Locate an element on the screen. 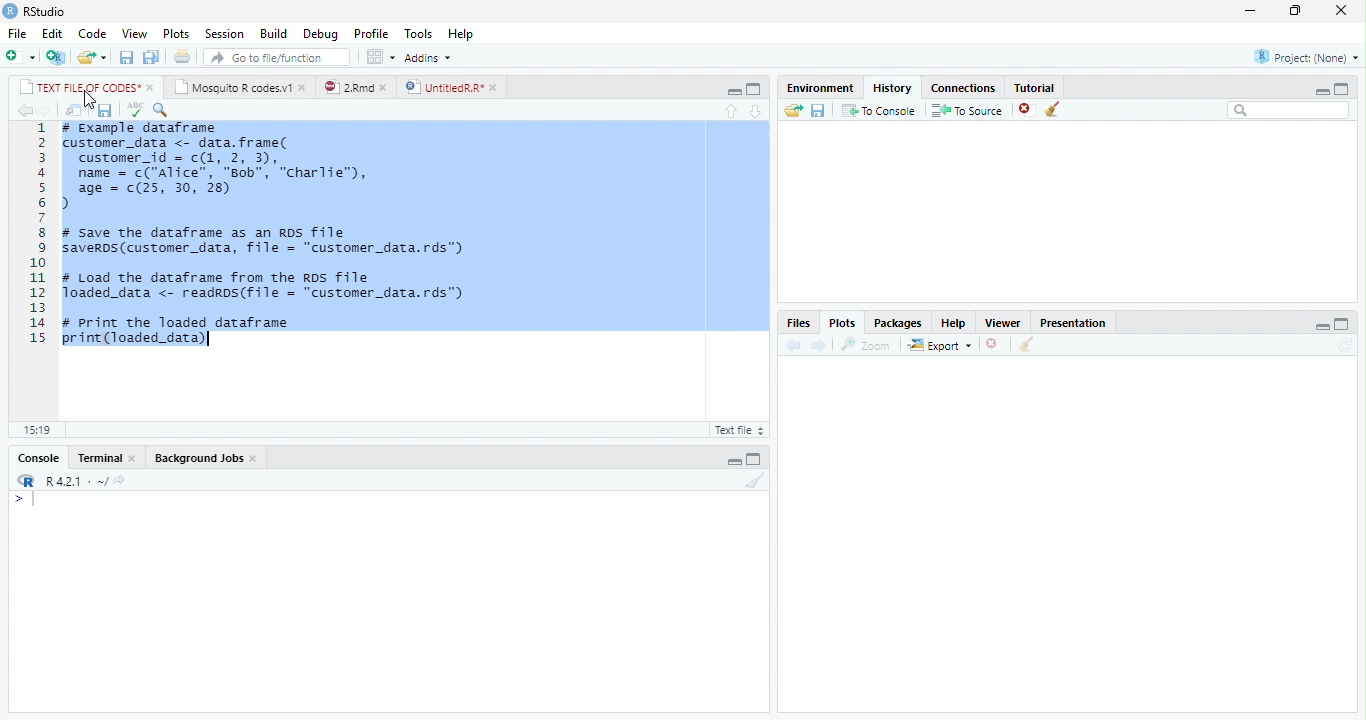 The width and height of the screenshot is (1366, 720). # Print the loaded dataframe
print(loaded_data)| is located at coordinates (189, 334).